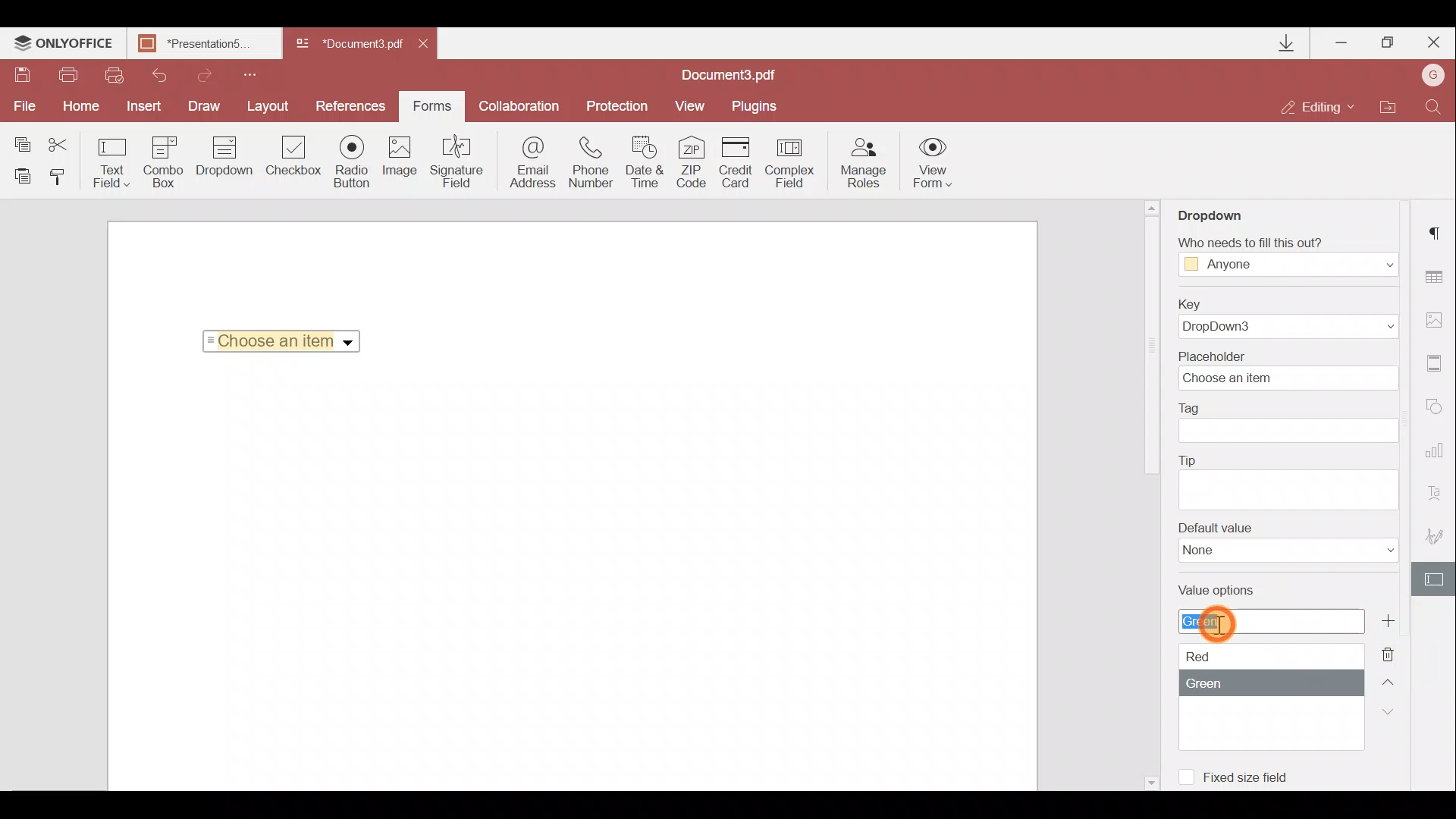  Describe the element at coordinates (1266, 667) in the screenshot. I see `Value options` at that location.